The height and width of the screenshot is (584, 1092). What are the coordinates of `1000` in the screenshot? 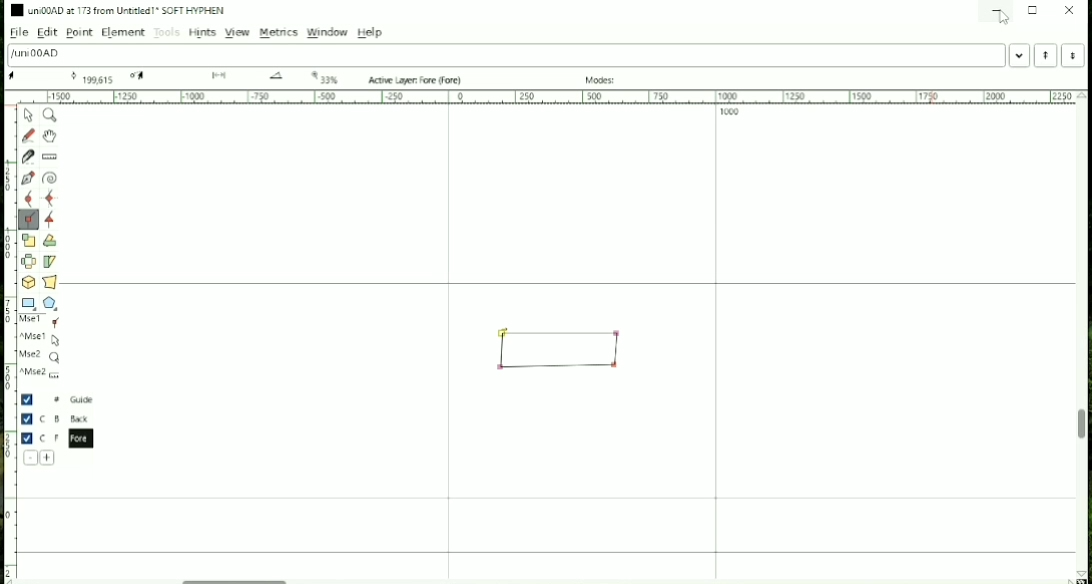 It's located at (730, 113).